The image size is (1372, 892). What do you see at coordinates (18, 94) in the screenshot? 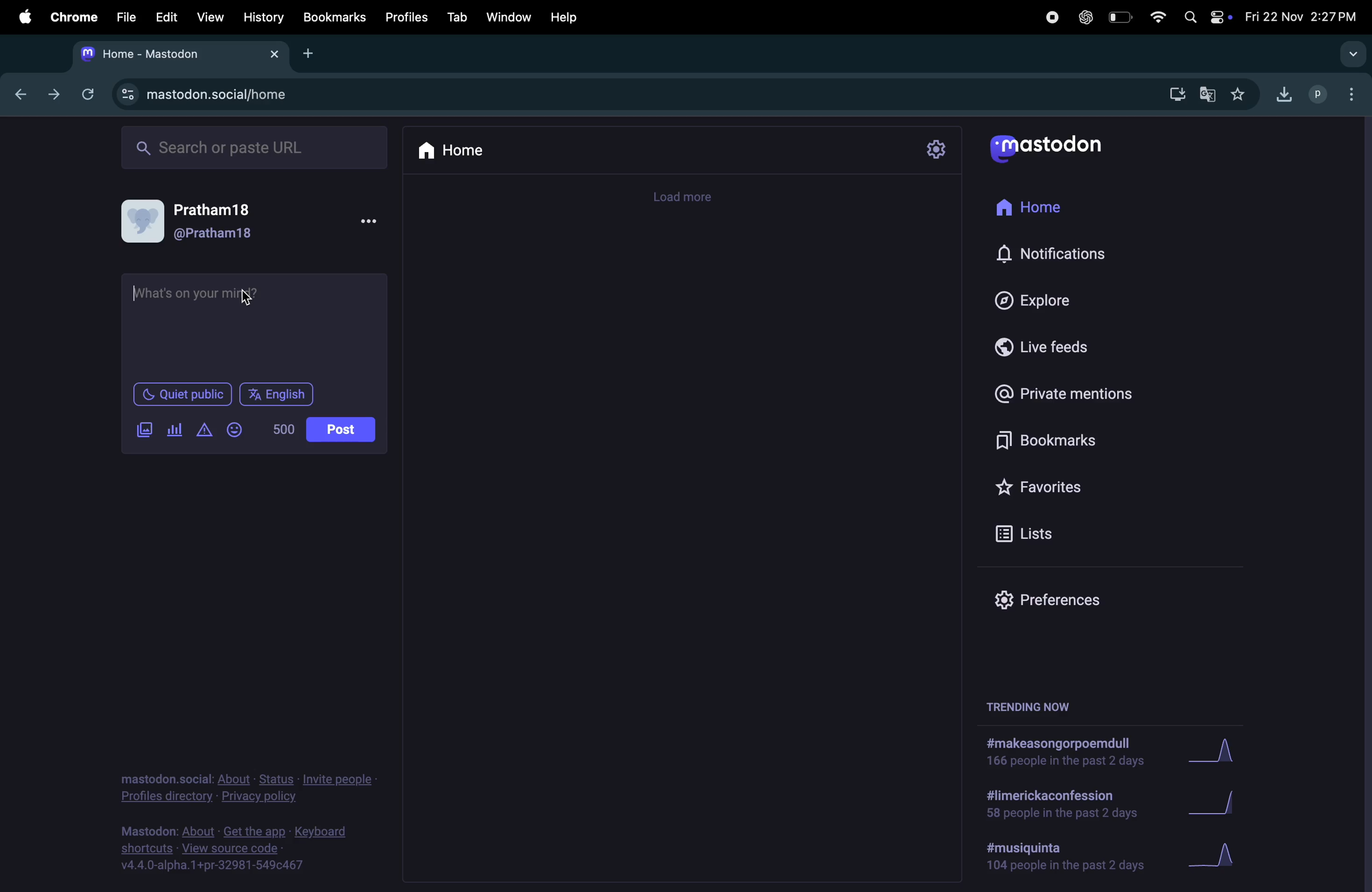
I see `back` at bounding box center [18, 94].